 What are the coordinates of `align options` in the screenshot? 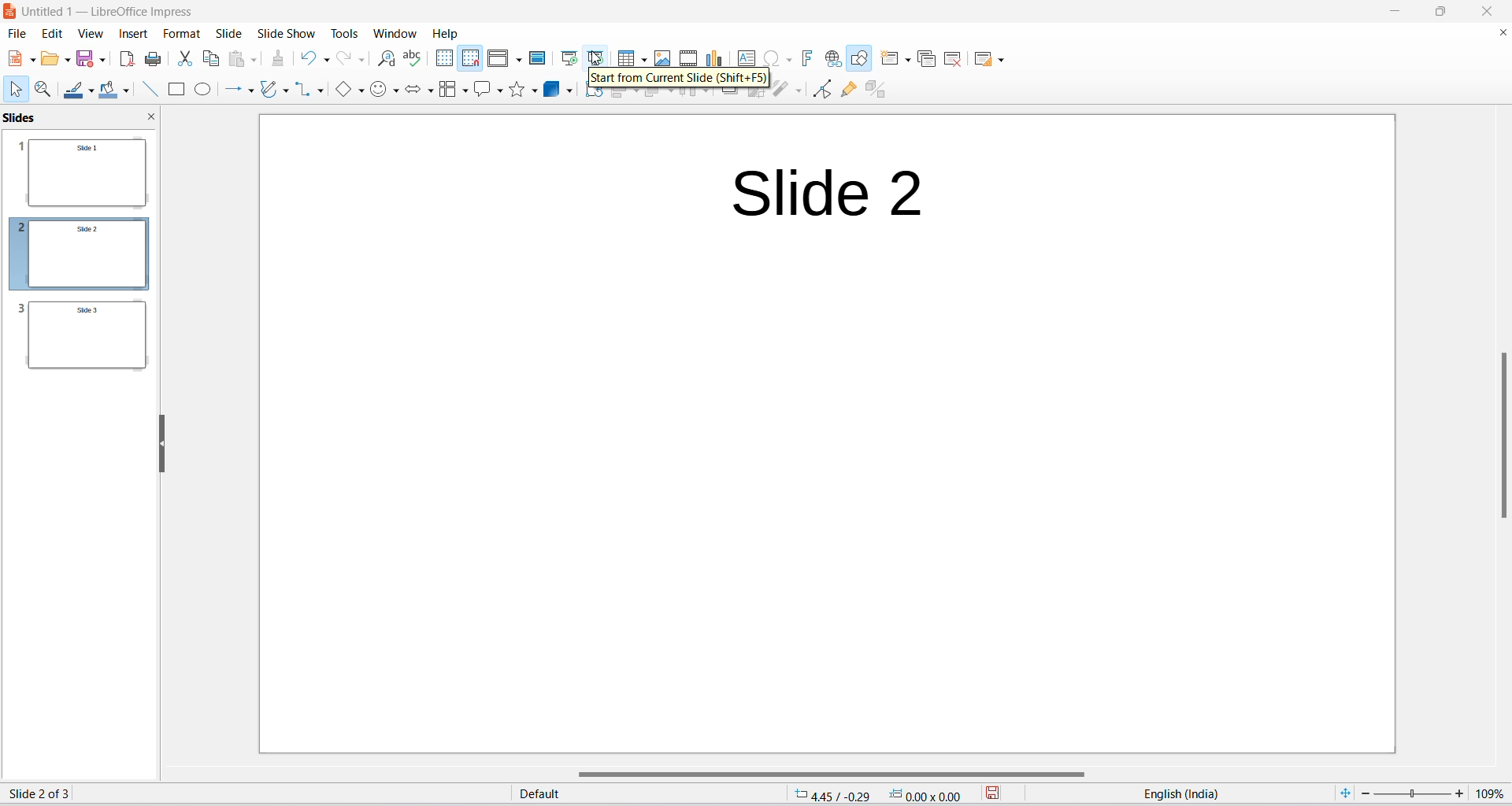 It's located at (639, 96).